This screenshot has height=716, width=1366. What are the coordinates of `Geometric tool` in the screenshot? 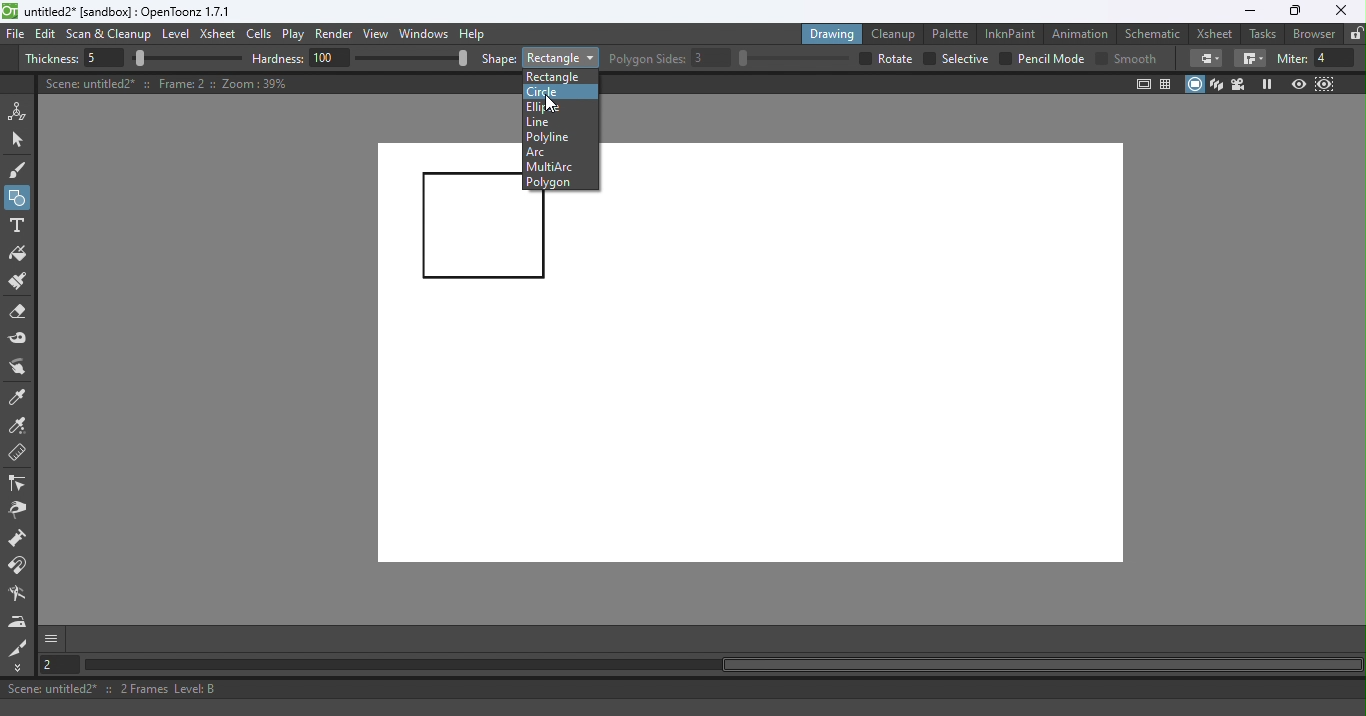 It's located at (19, 198).